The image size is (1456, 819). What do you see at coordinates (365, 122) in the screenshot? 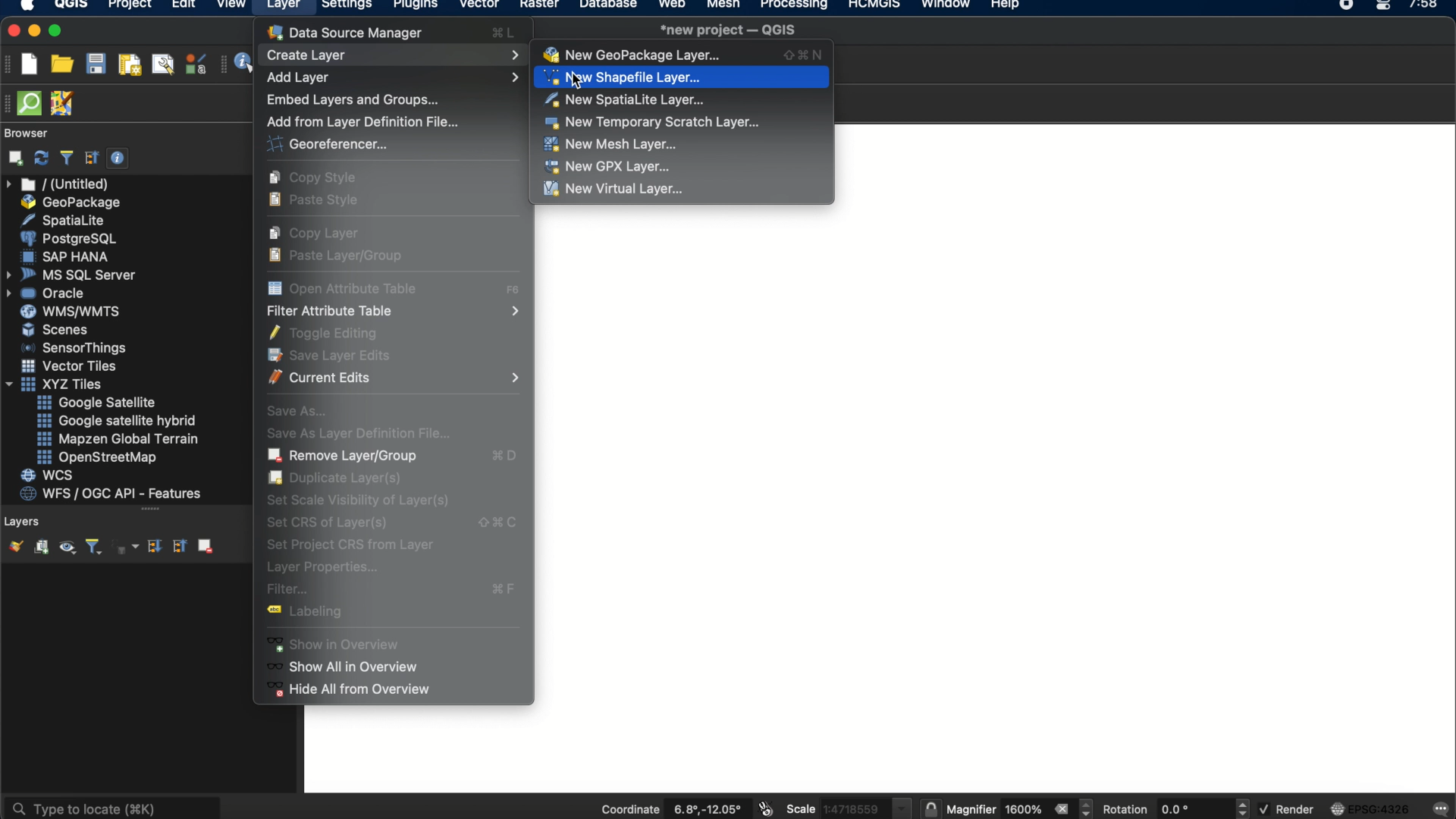
I see `add from layer definition file` at bounding box center [365, 122].